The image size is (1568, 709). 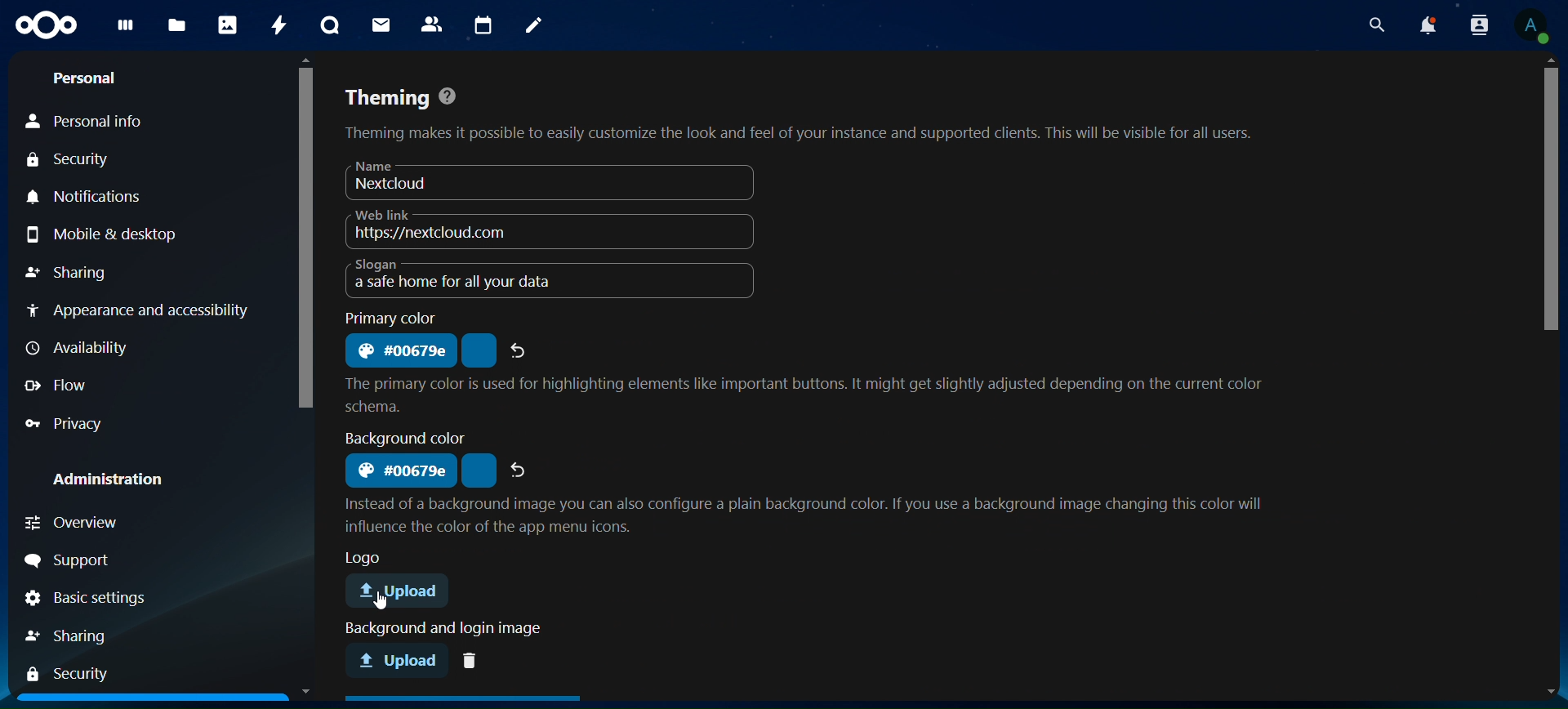 What do you see at coordinates (69, 421) in the screenshot?
I see `privacy` at bounding box center [69, 421].